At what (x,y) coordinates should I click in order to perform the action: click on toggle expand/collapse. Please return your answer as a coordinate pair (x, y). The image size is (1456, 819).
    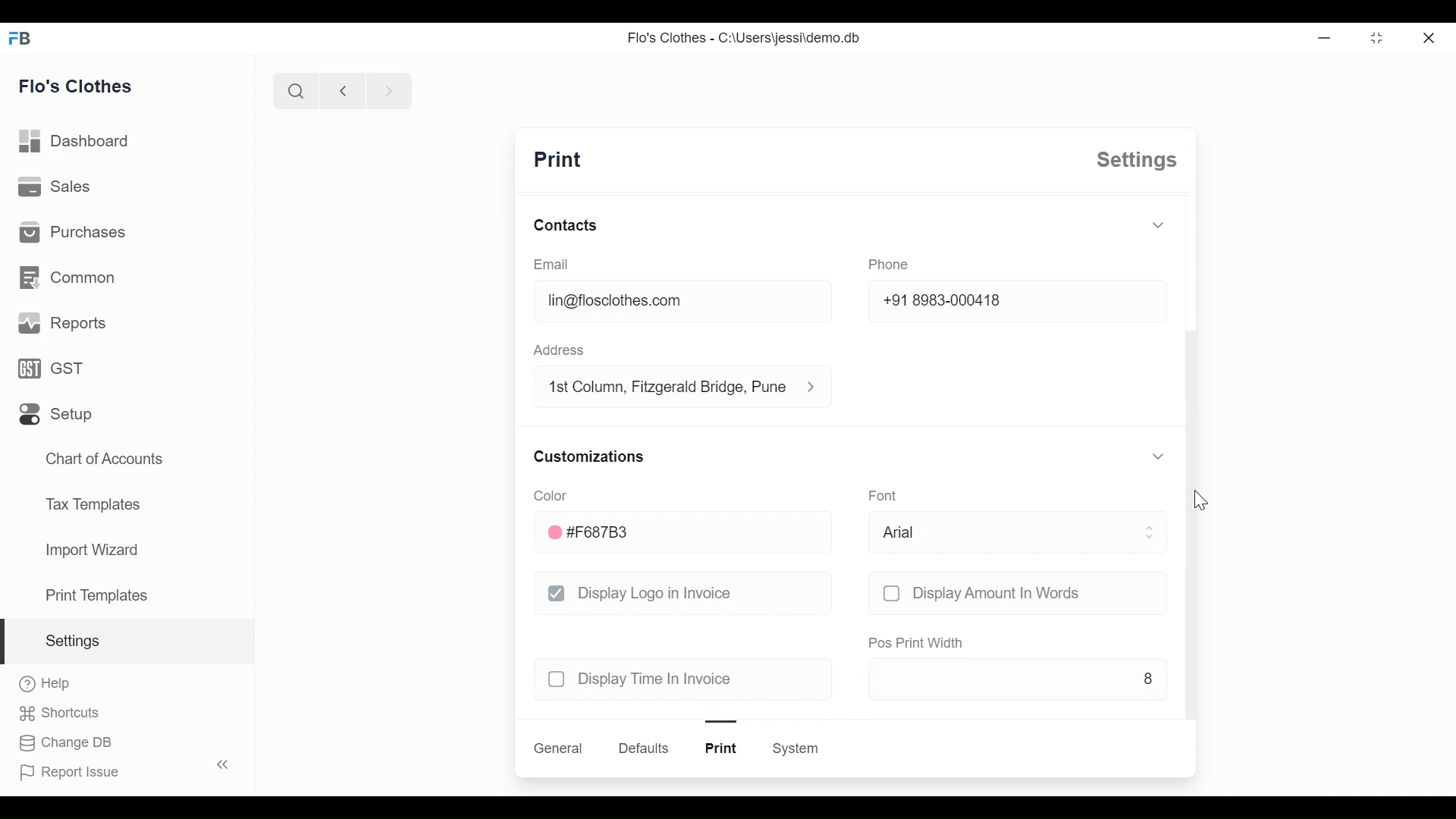
    Looking at the image, I should click on (1158, 224).